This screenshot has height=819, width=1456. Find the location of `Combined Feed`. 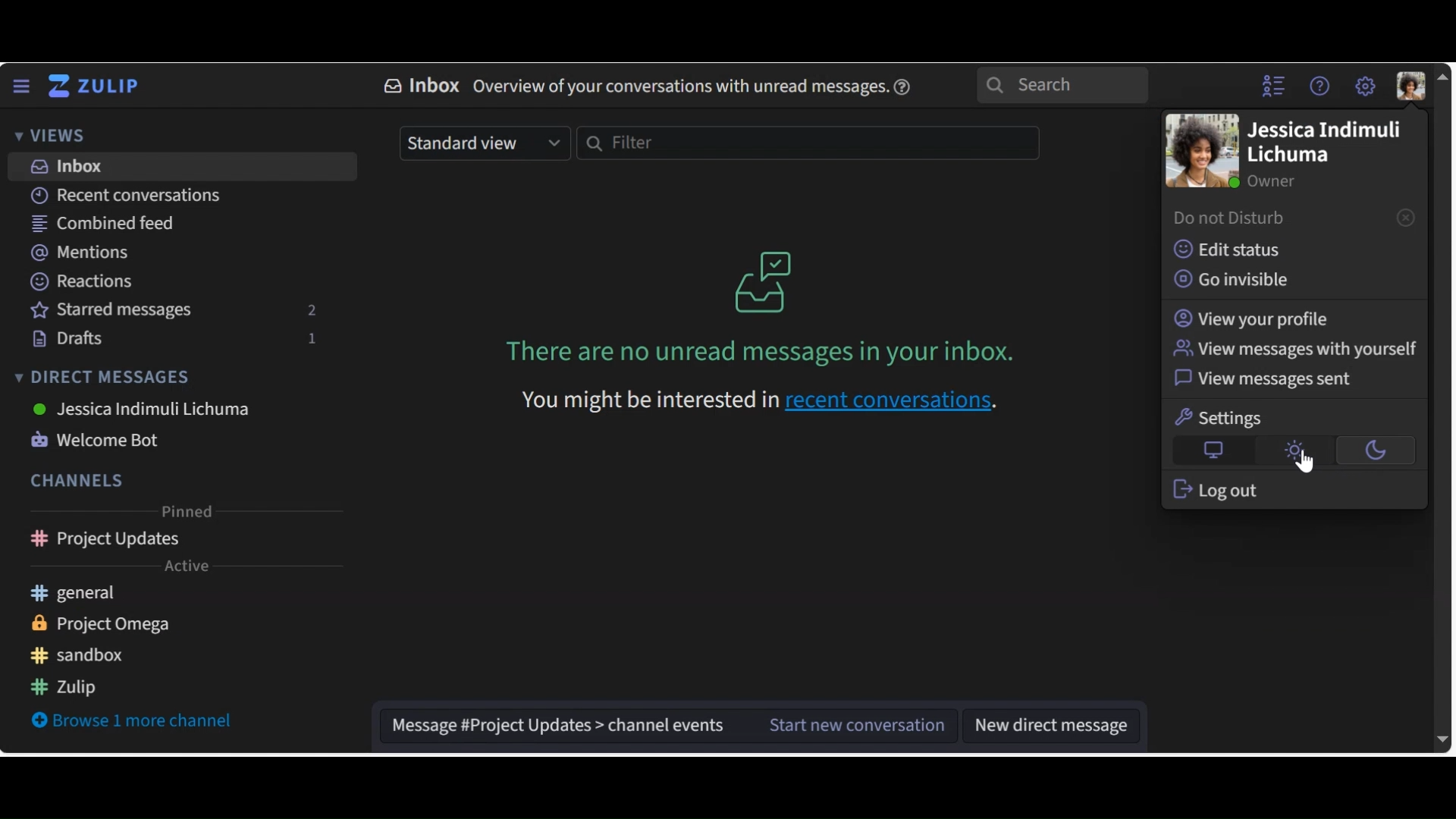

Combined Feed is located at coordinates (103, 225).